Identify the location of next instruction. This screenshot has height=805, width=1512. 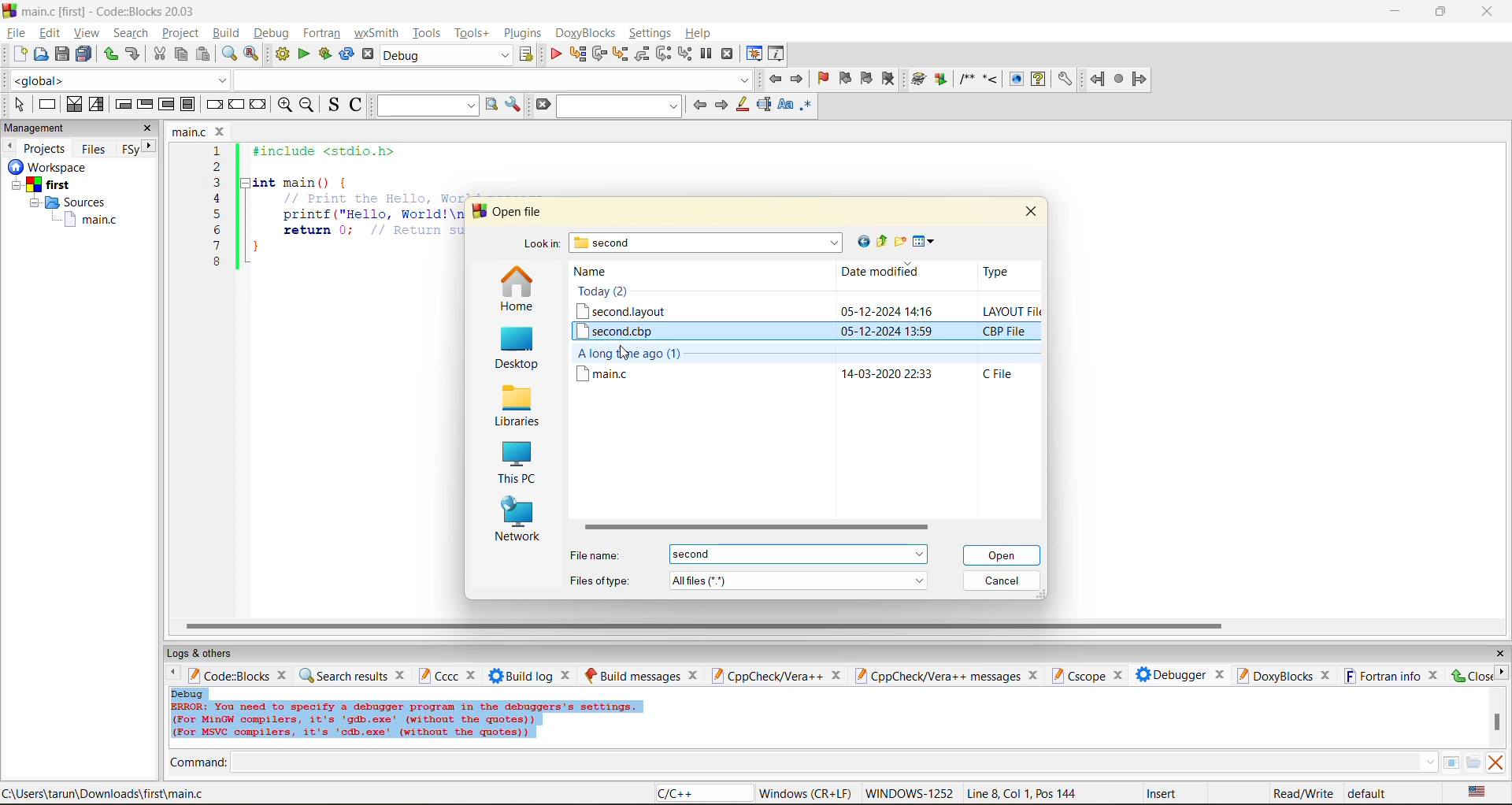
(663, 54).